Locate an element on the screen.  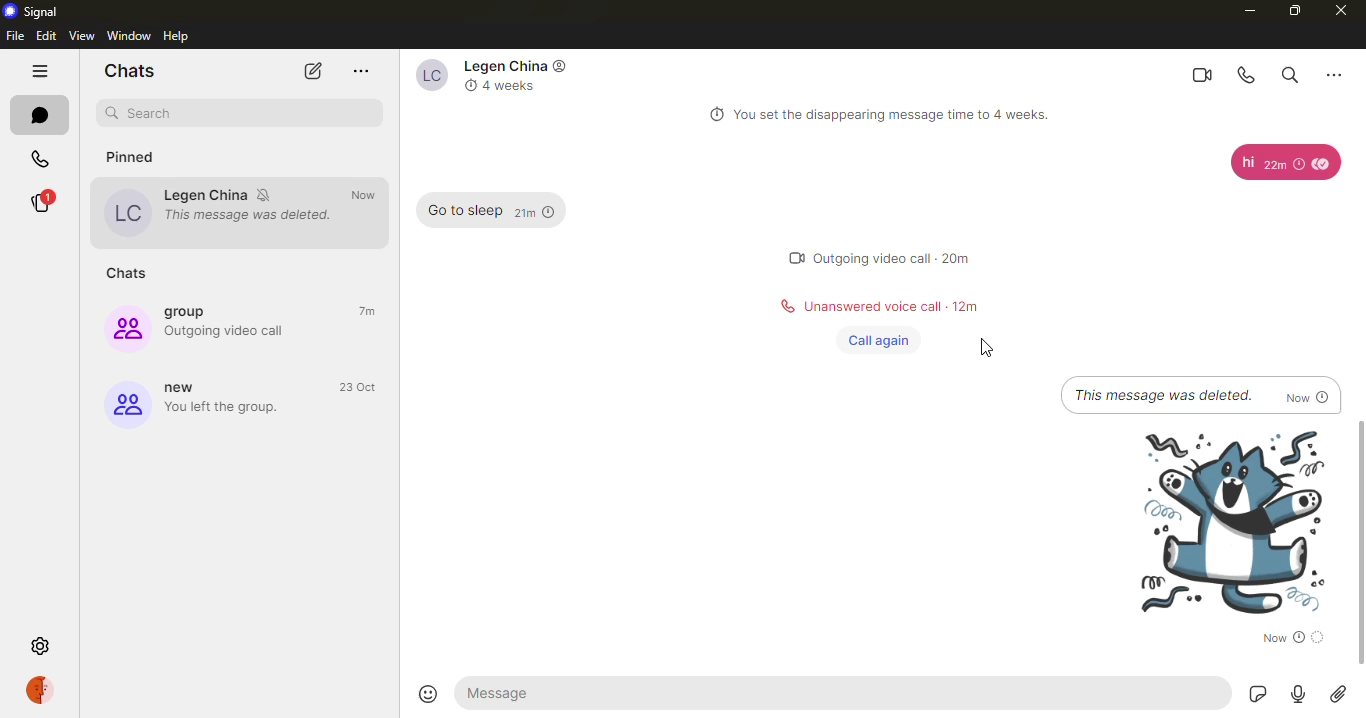
mute notifications is located at coordinates (267, 195).